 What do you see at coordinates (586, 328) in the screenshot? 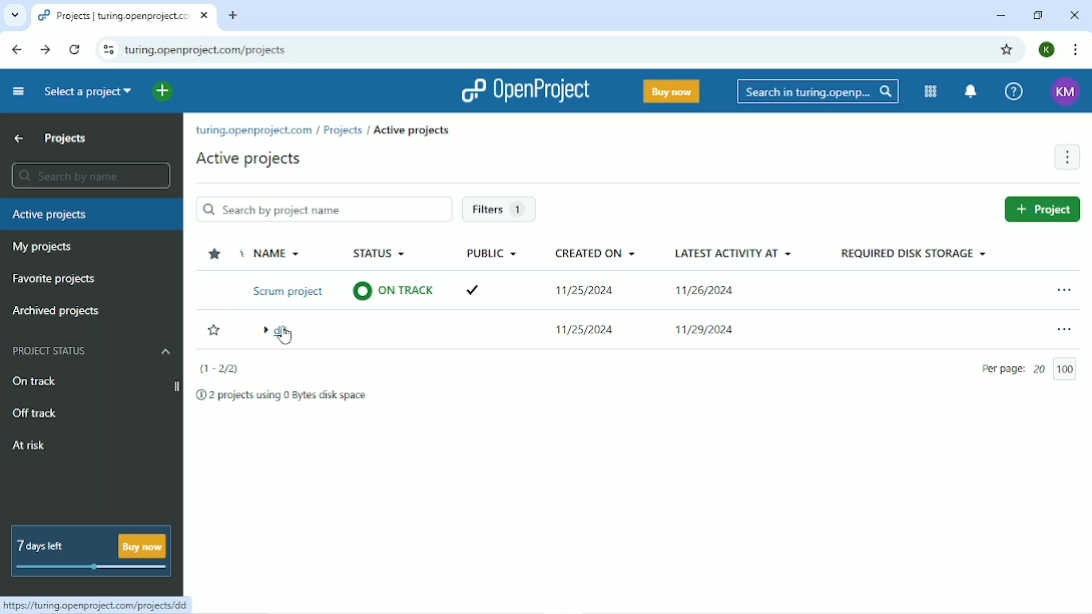
I see `11/25/2024` at bounding box center [586, 328].